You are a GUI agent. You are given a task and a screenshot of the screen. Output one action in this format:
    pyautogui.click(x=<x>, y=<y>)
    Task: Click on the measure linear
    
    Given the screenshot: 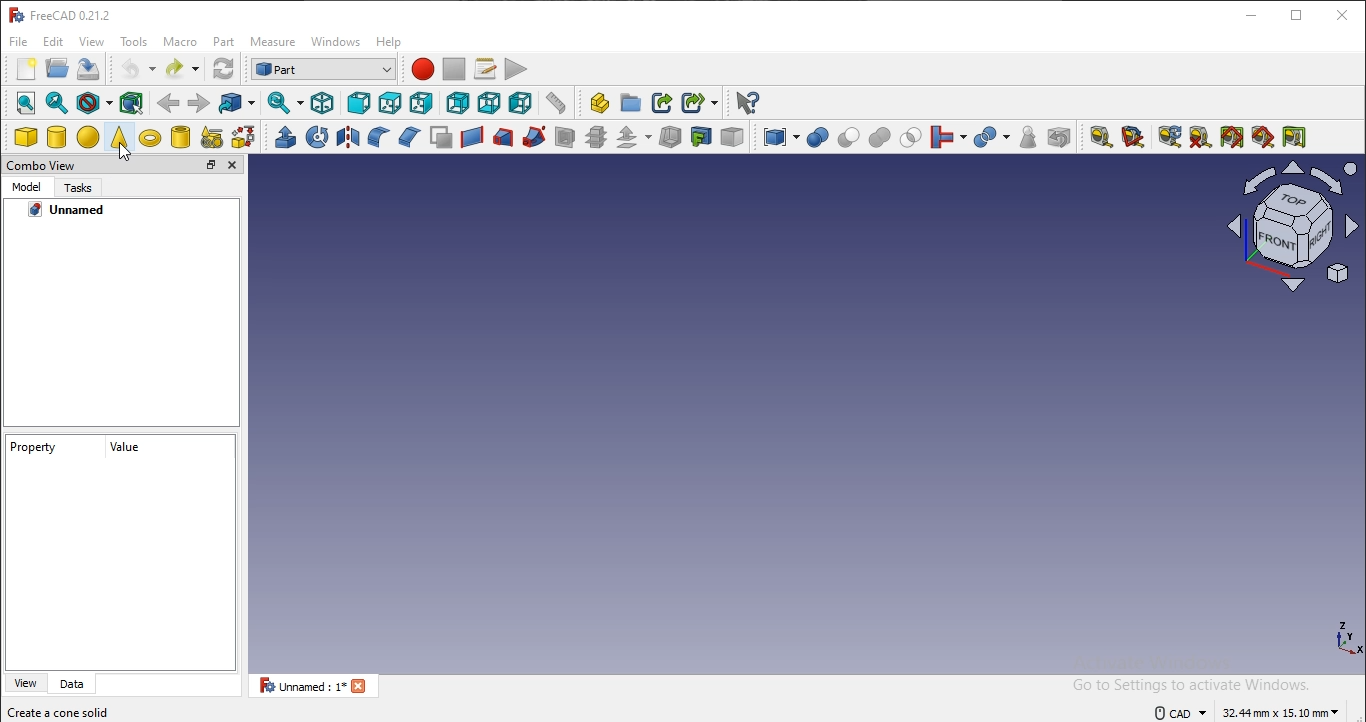 What is the action you would take?
    pyautogui.click(x=1100, y=137)
    